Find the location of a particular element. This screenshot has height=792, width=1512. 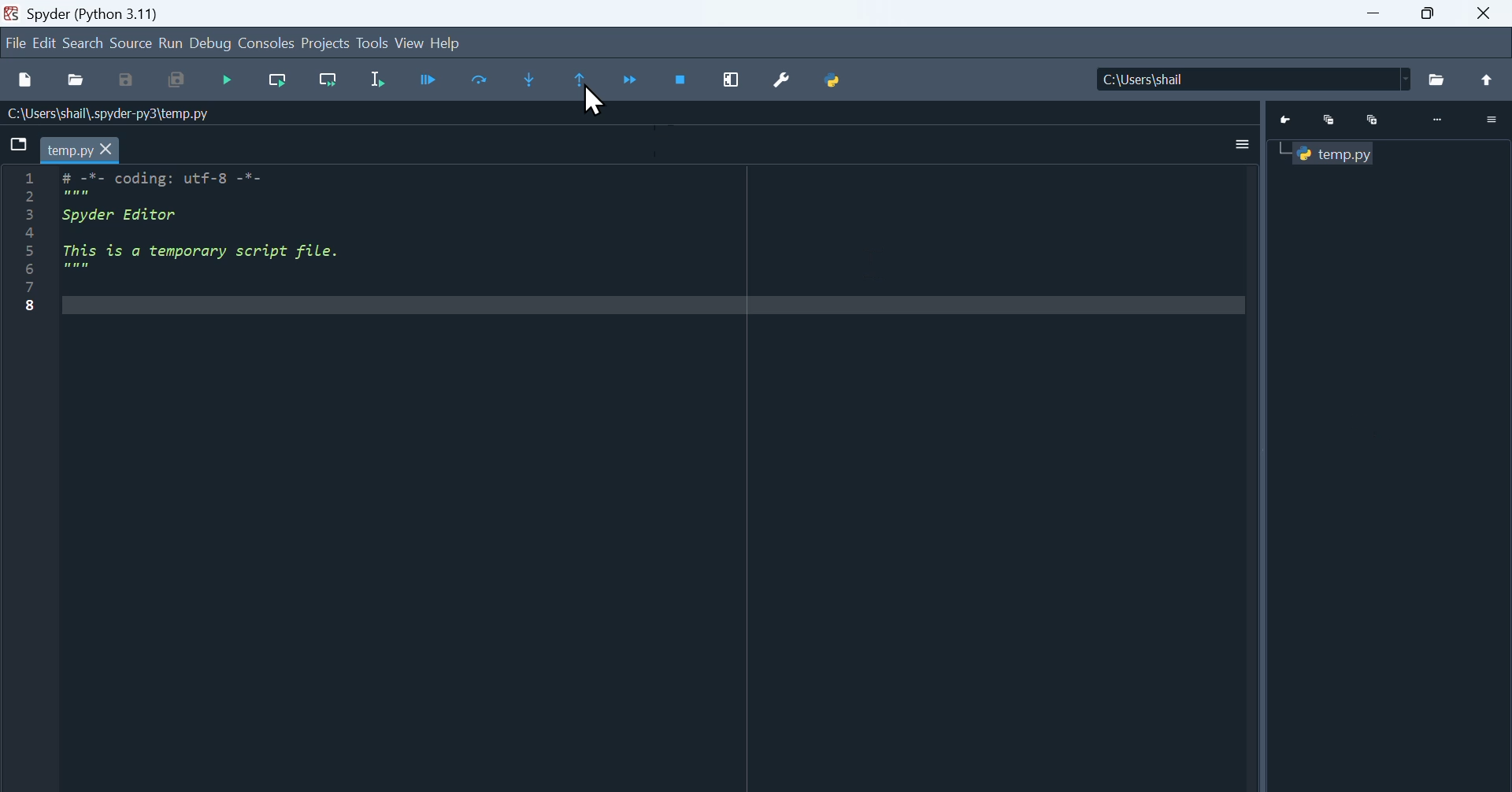

# -7- coding: utr-8 -"-Spyder EditorThis is a temporary script file. is located at coordinates (227, 230).